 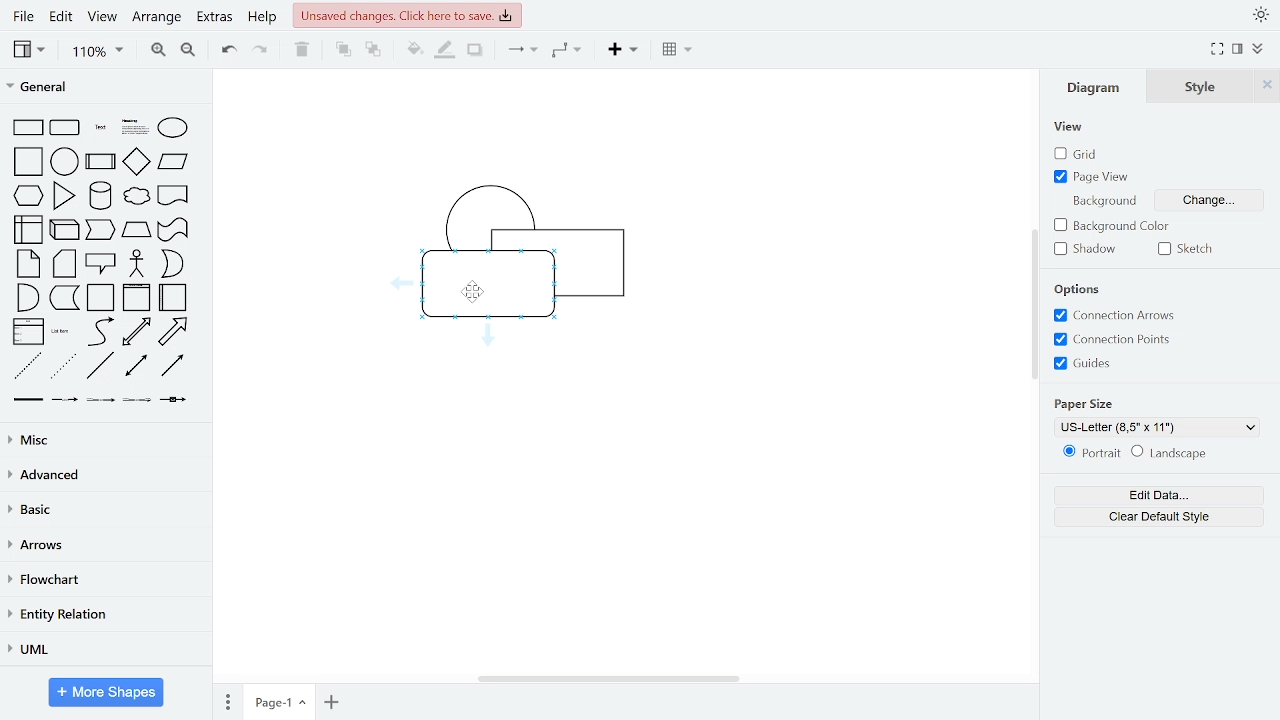 What do you see at coordinates (62, 196) in the screenshot?
I see `triangle` at bounding box center [62, 196].